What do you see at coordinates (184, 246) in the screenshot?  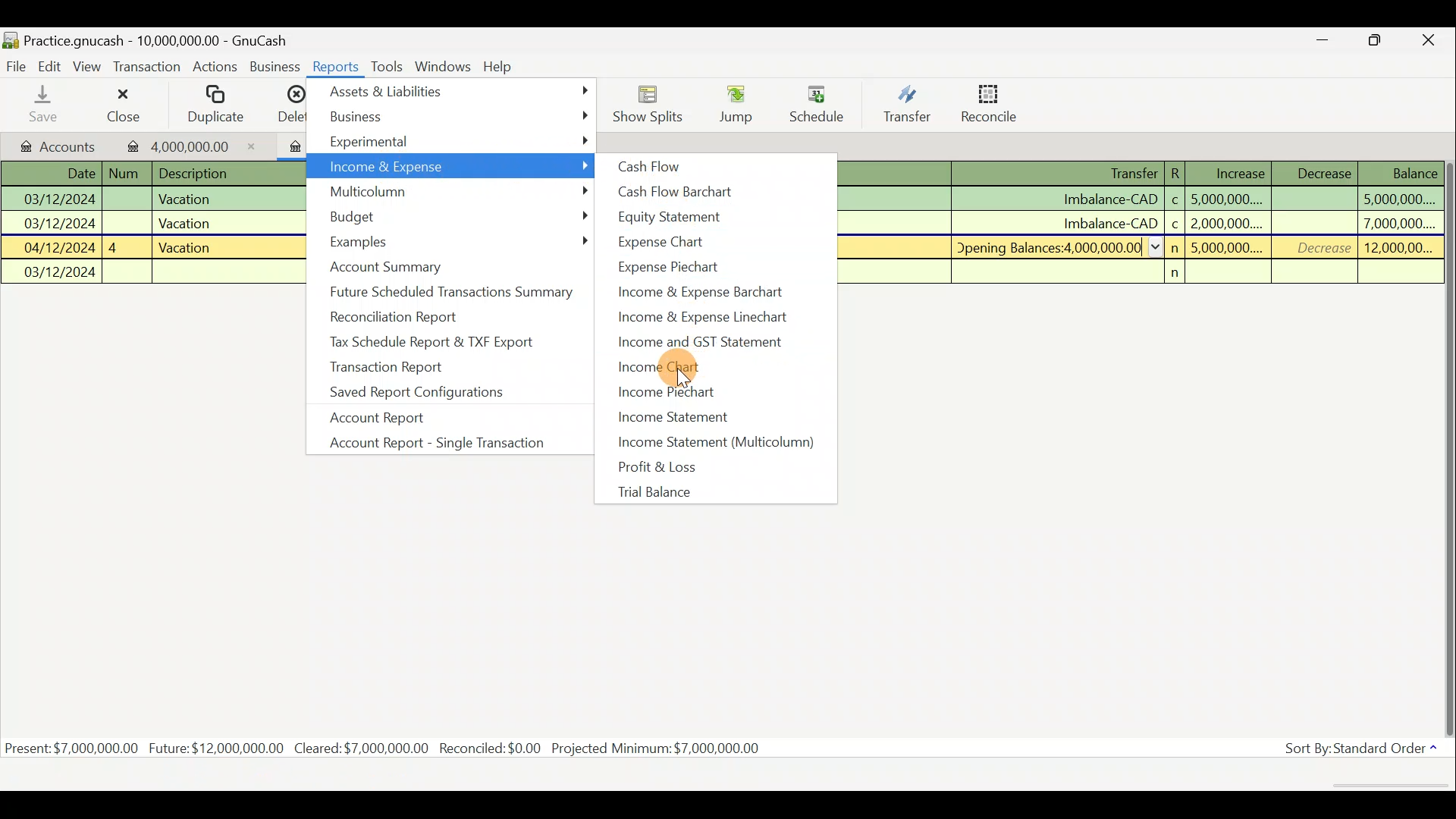 I see `Vacation` at bounding box center [184, 246].